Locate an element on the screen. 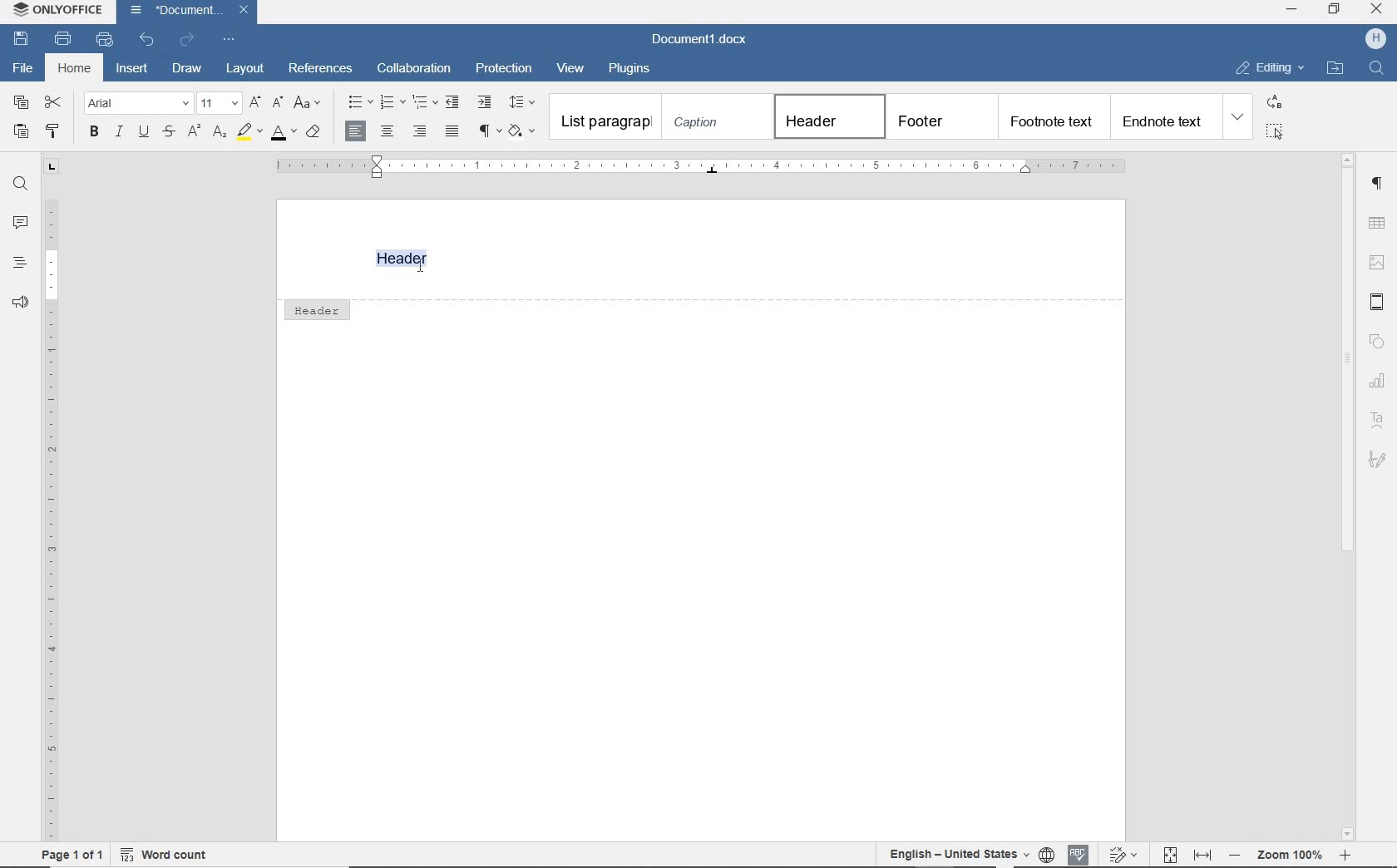 The width and height of the screenshot is (1397, 868). numbering is located at coordinates (392, 103).